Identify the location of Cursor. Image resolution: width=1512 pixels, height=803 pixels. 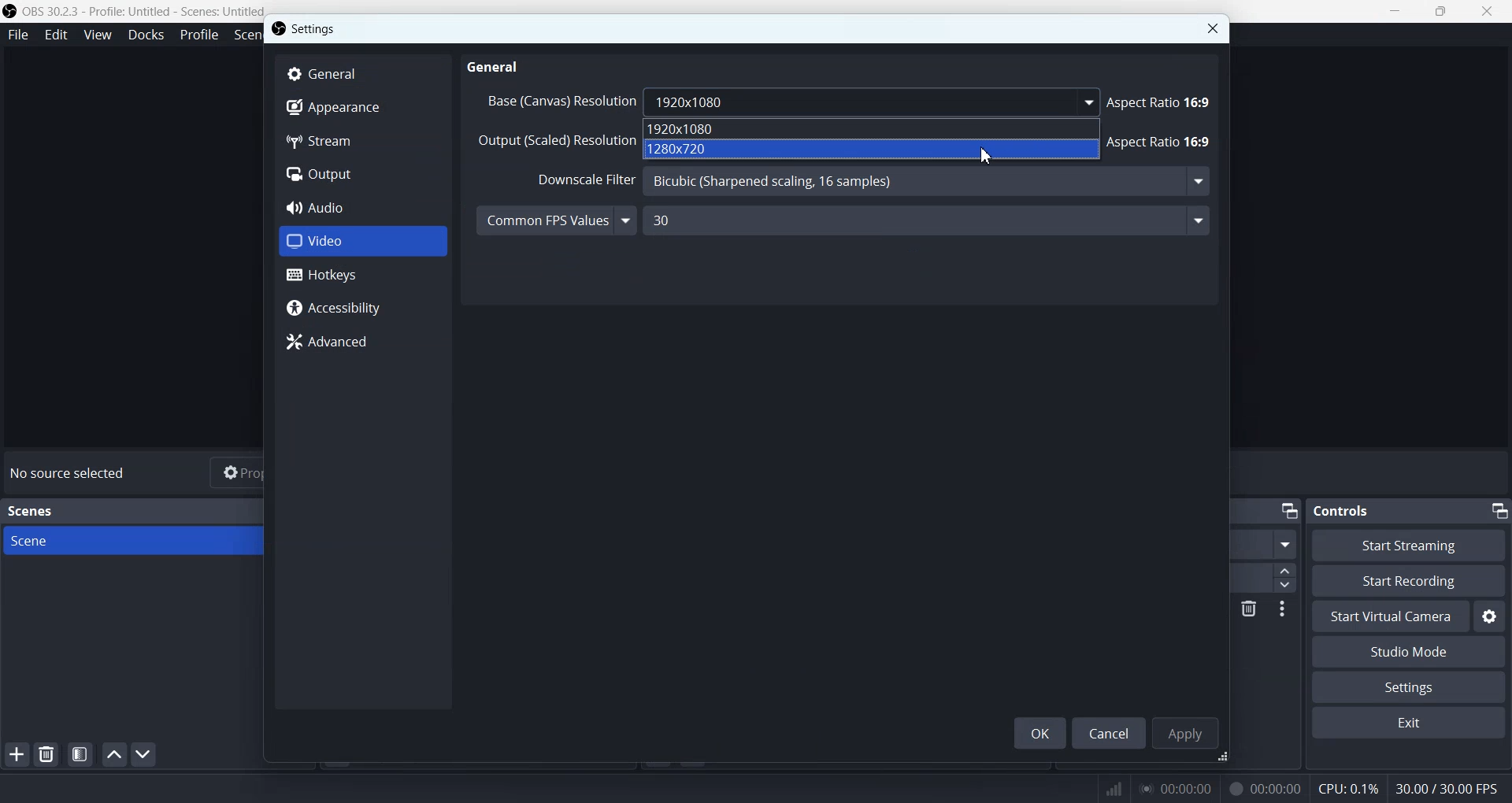
(983, 156).